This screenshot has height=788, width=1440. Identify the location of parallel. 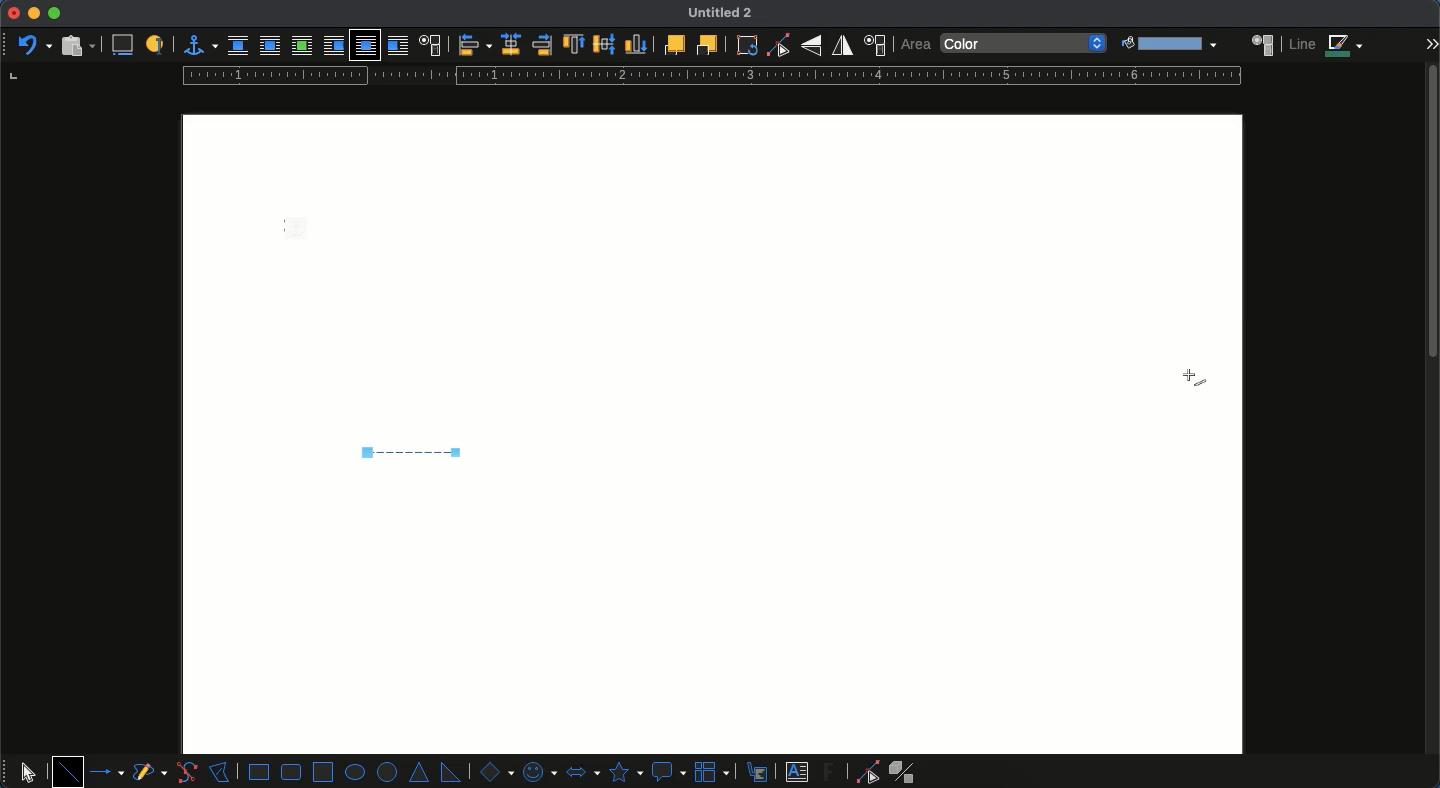
(270, 45).